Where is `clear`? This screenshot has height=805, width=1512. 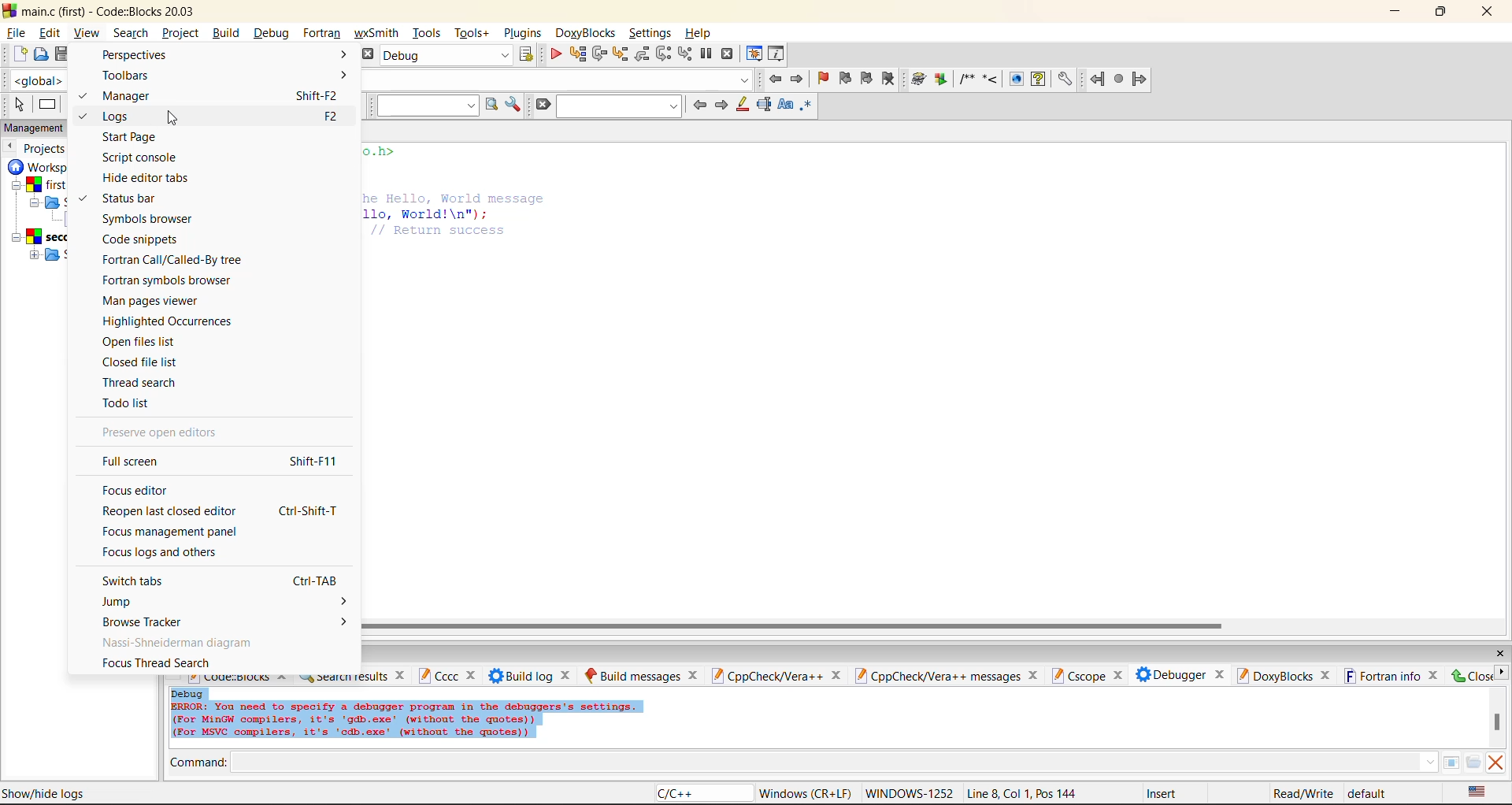 clear is located at coordinates (540, 105).